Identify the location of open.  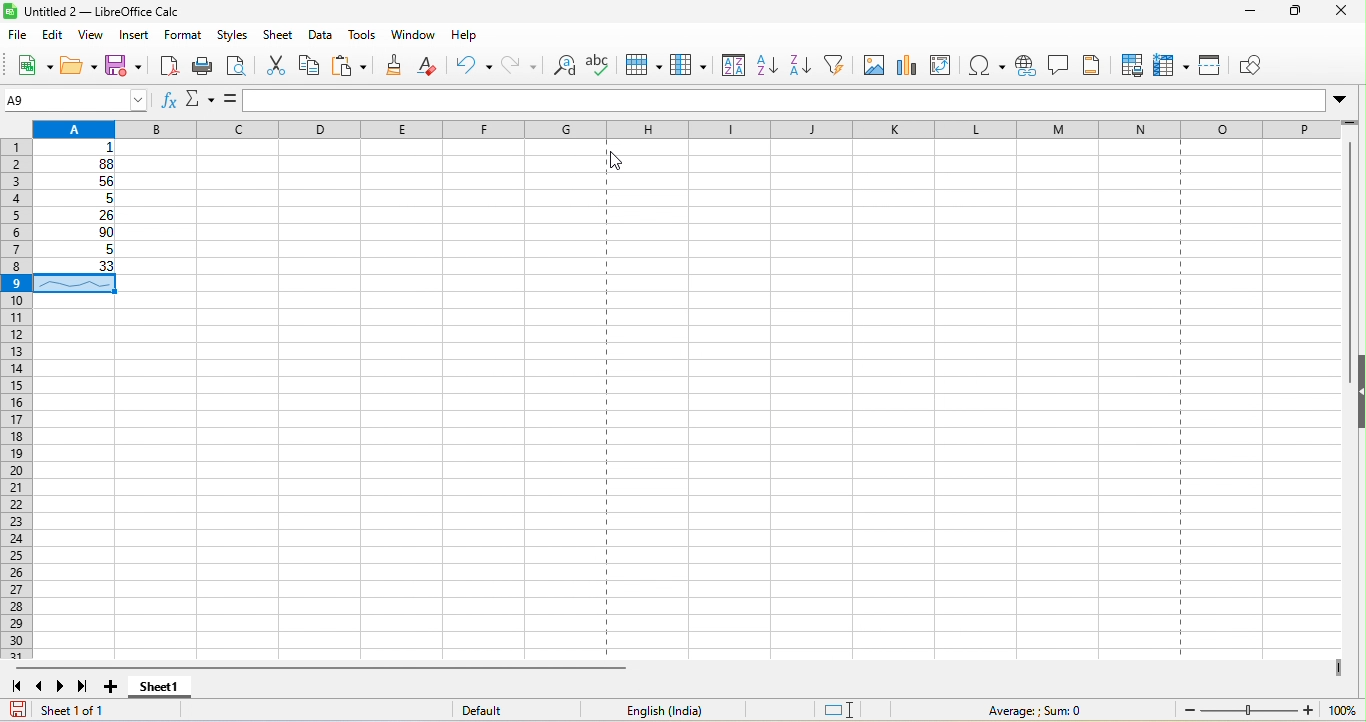
(80, 67).